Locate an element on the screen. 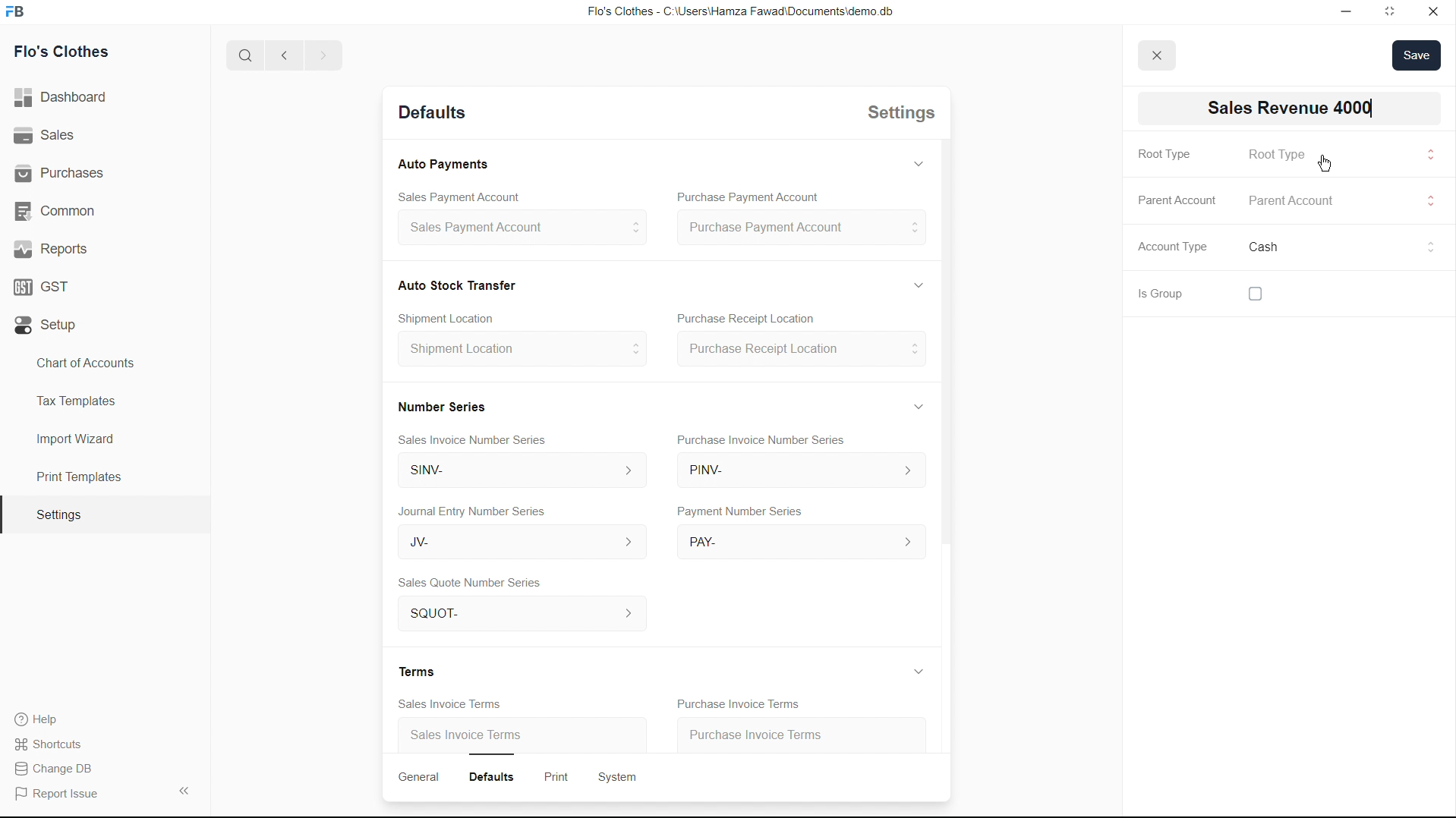 Image resolution: width=1456 pixels, height=818 pixels. Hide  is located at coordinates (917, 162).